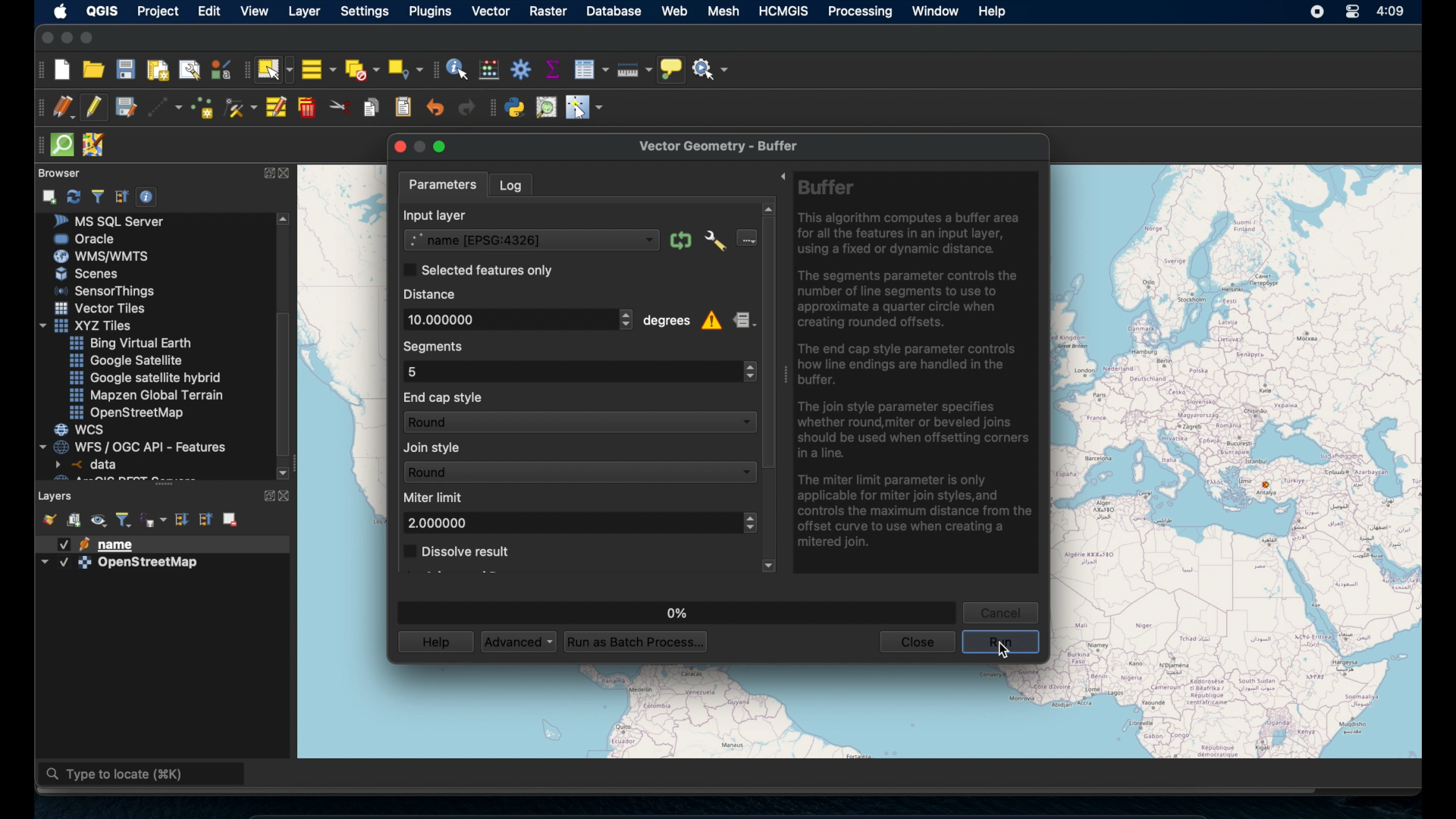  What do you see at coordinates (285, 218) in the screenshot?
I see `scroll up arrow` at bounding box center [285, 218].